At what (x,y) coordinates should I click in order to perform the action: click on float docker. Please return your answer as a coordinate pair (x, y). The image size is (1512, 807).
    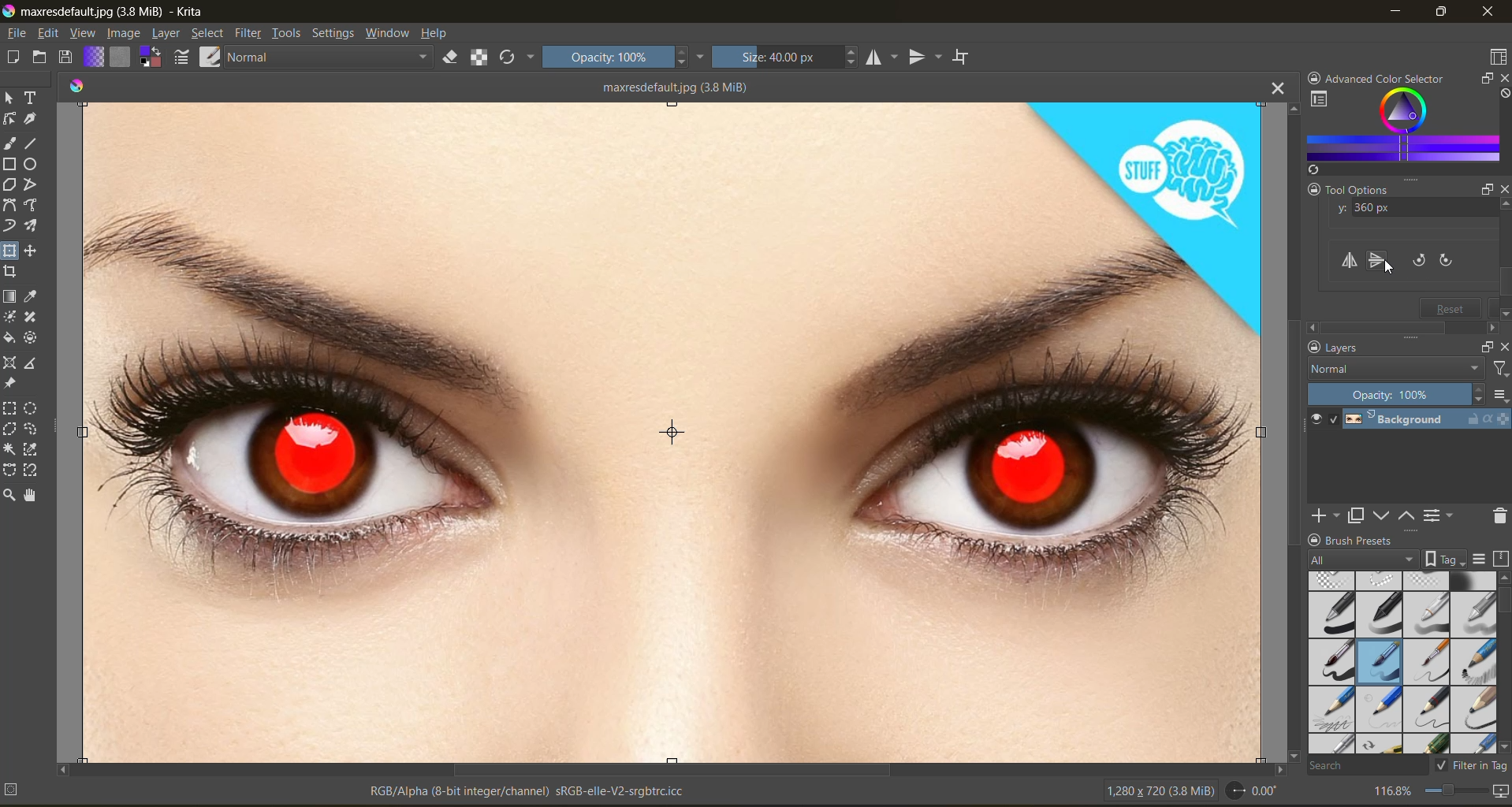
    Looking at the image, I should click on (1482, 80).